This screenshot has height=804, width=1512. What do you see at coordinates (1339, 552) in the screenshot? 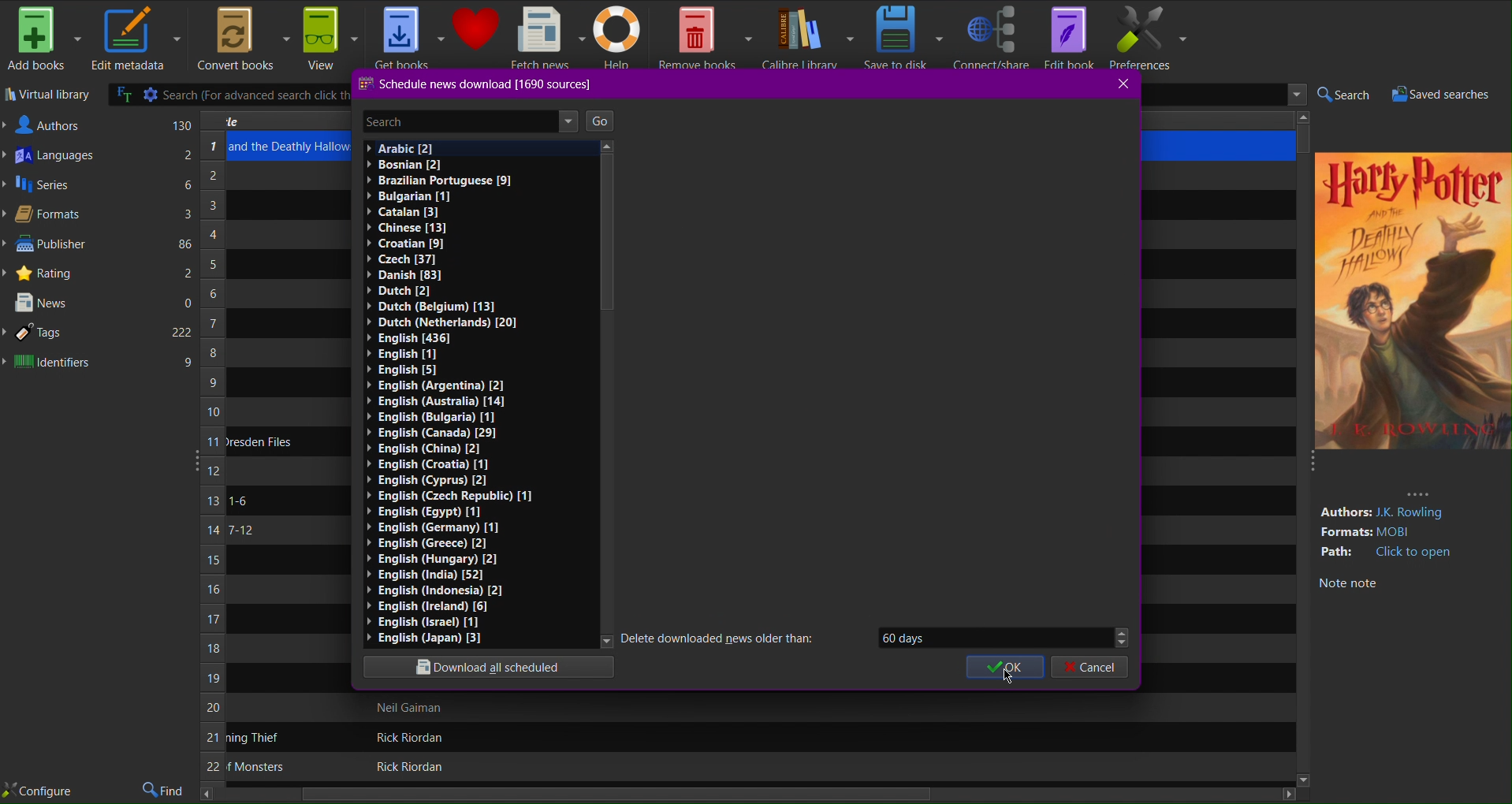
I see `Path:` at bounding box center [1339, 552].